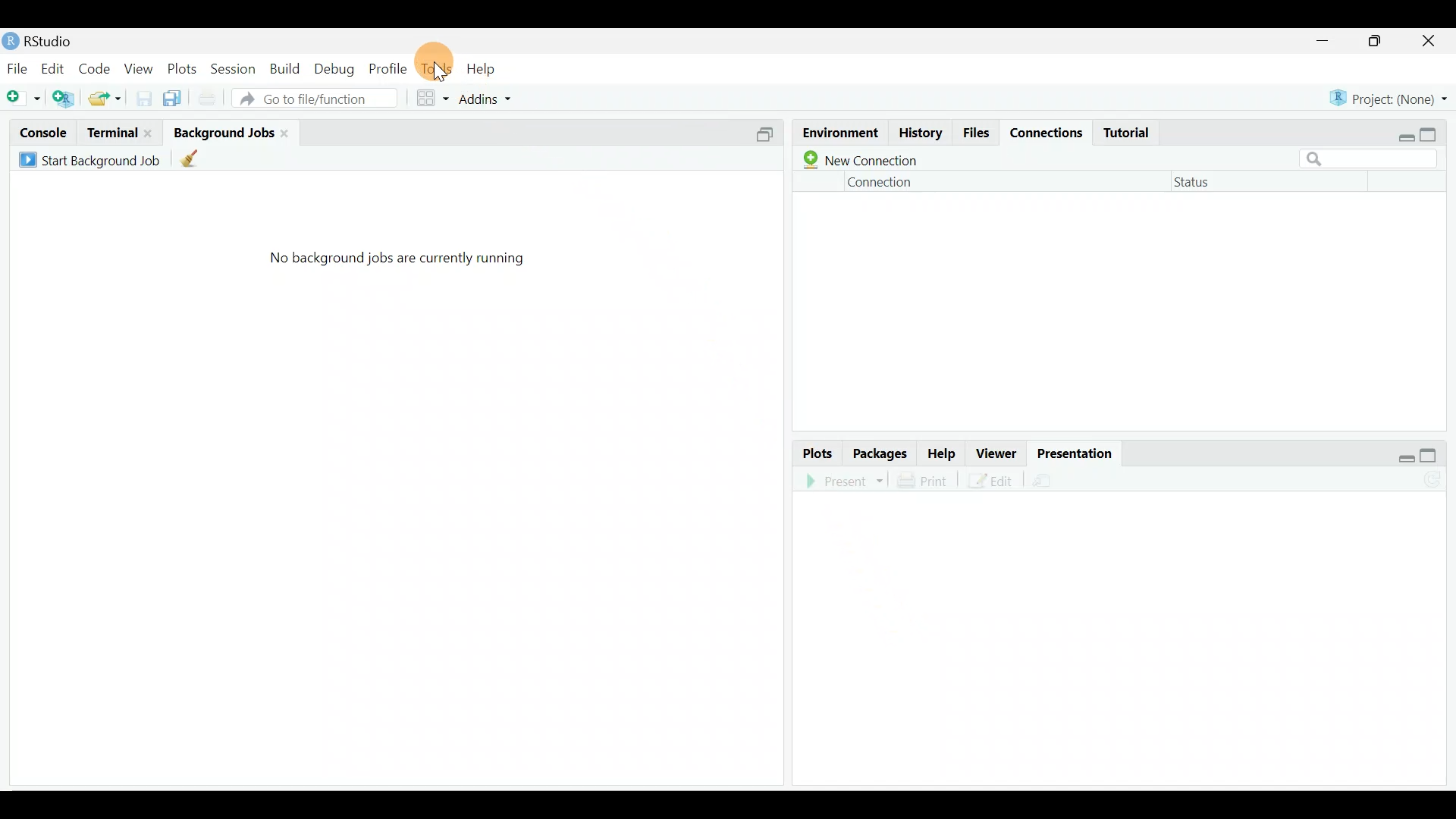 This screenshot has width=1456, height=819. What do you see at coordinates (878, 182) in the screenshot?
I see `Connection` at bounding box center [878, 182].